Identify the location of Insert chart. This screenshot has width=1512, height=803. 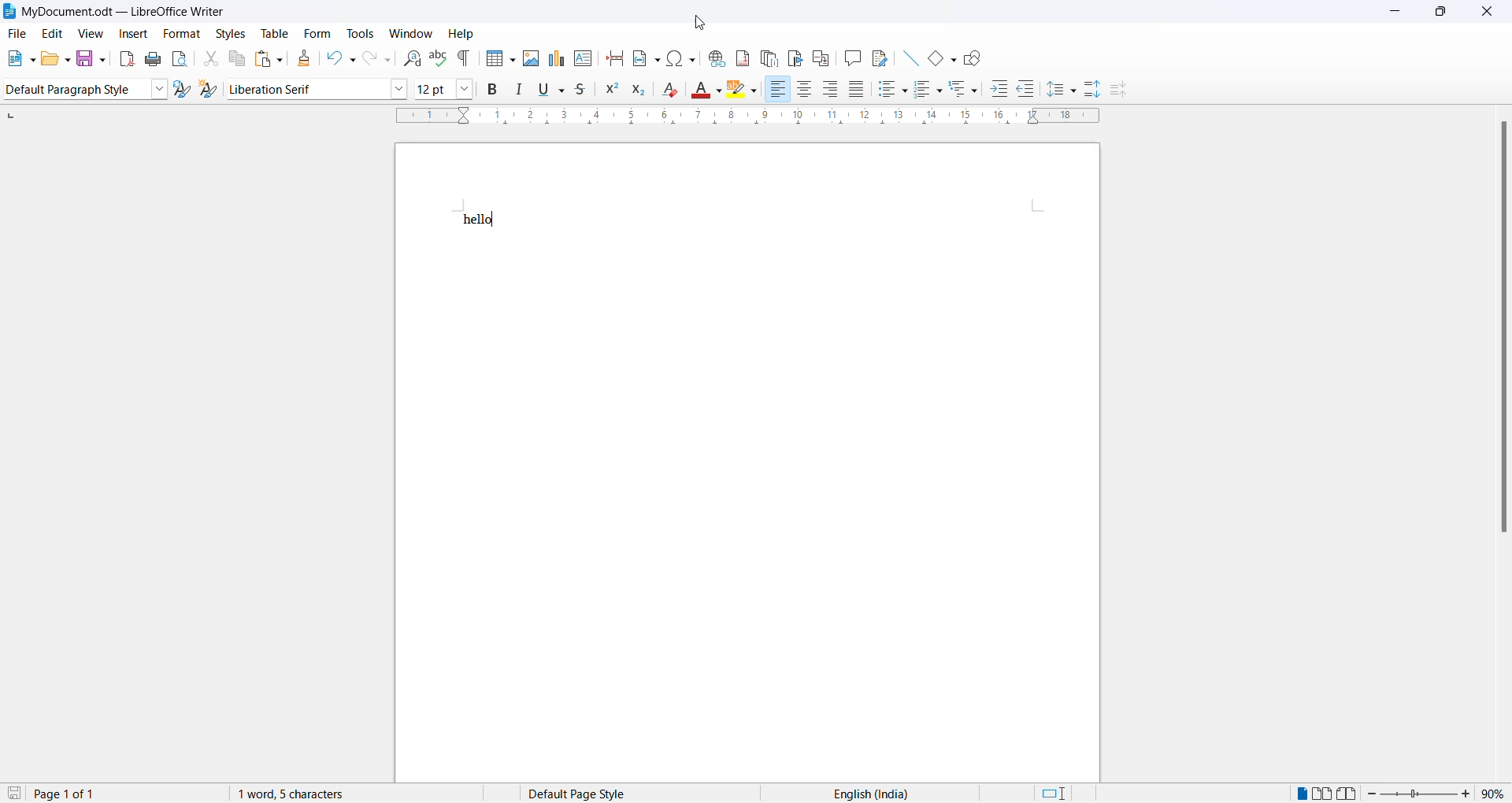
(554, 58).